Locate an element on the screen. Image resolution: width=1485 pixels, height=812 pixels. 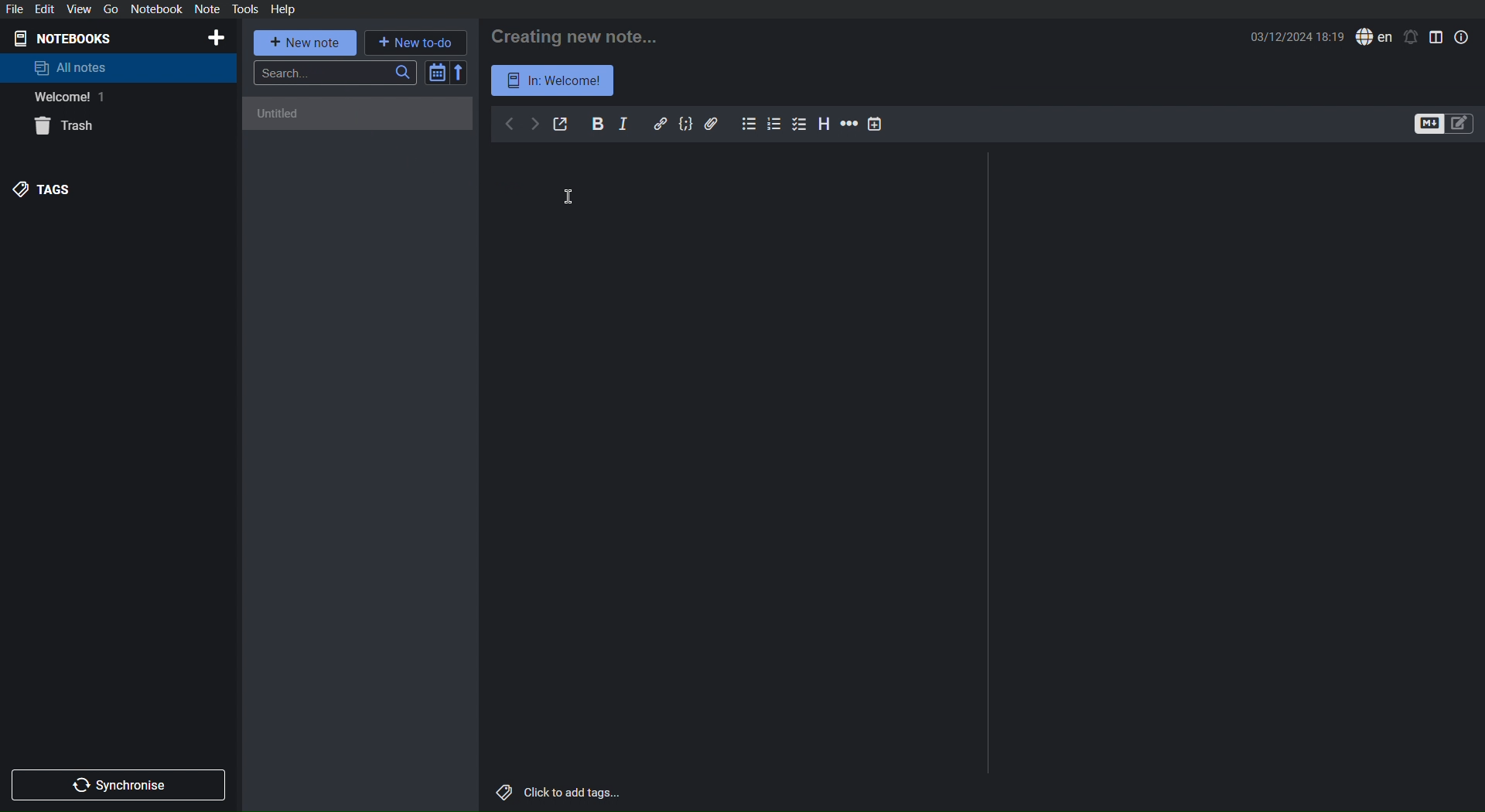
Toggle editors is located at coordinates (1445, 125).